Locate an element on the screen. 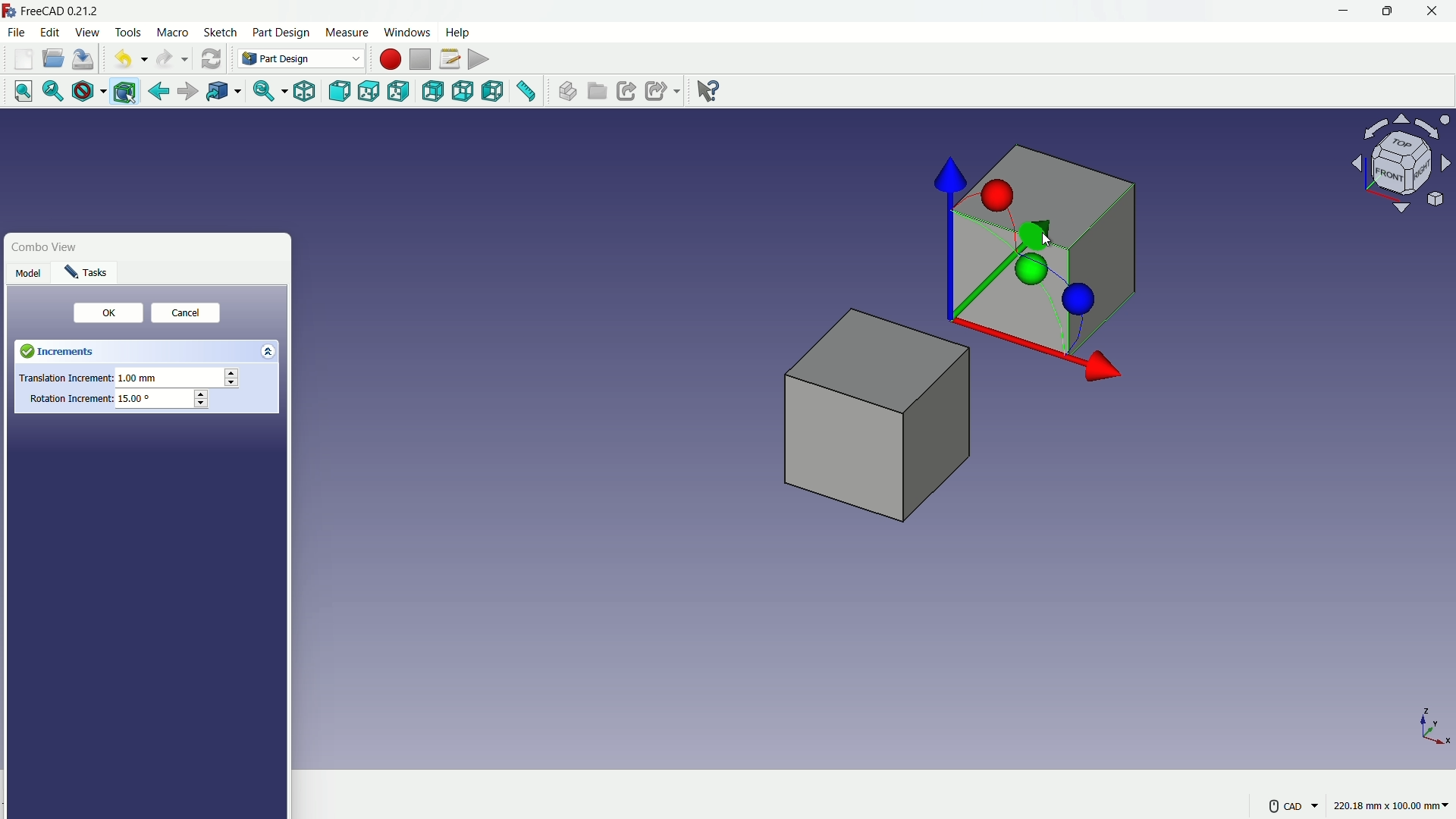 Image resolution: width=1456 pixels, height=819 pixels. stepper button is located at coordinates (231, 378).